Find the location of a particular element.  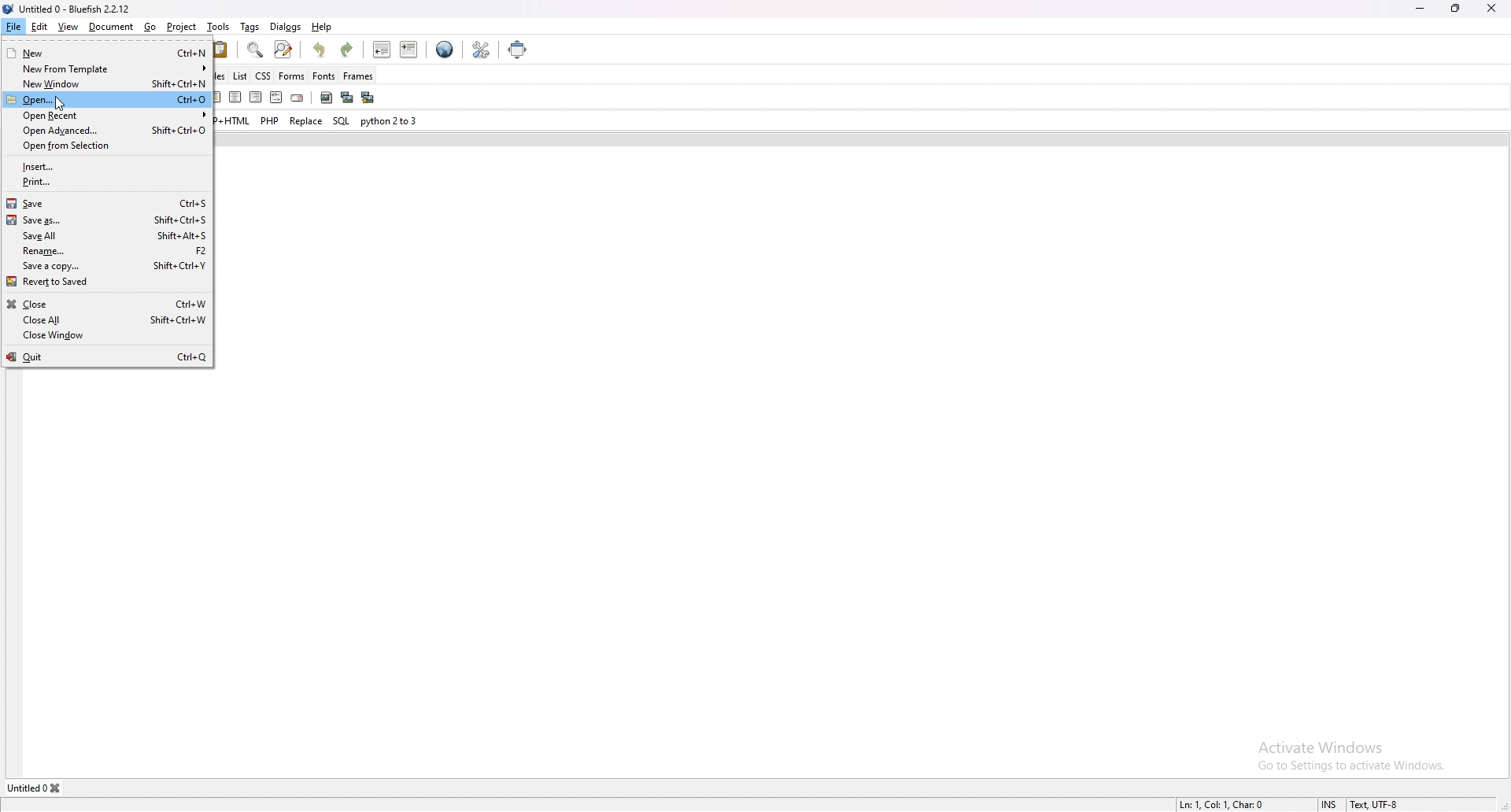

view is located at coordinates (68, 27).